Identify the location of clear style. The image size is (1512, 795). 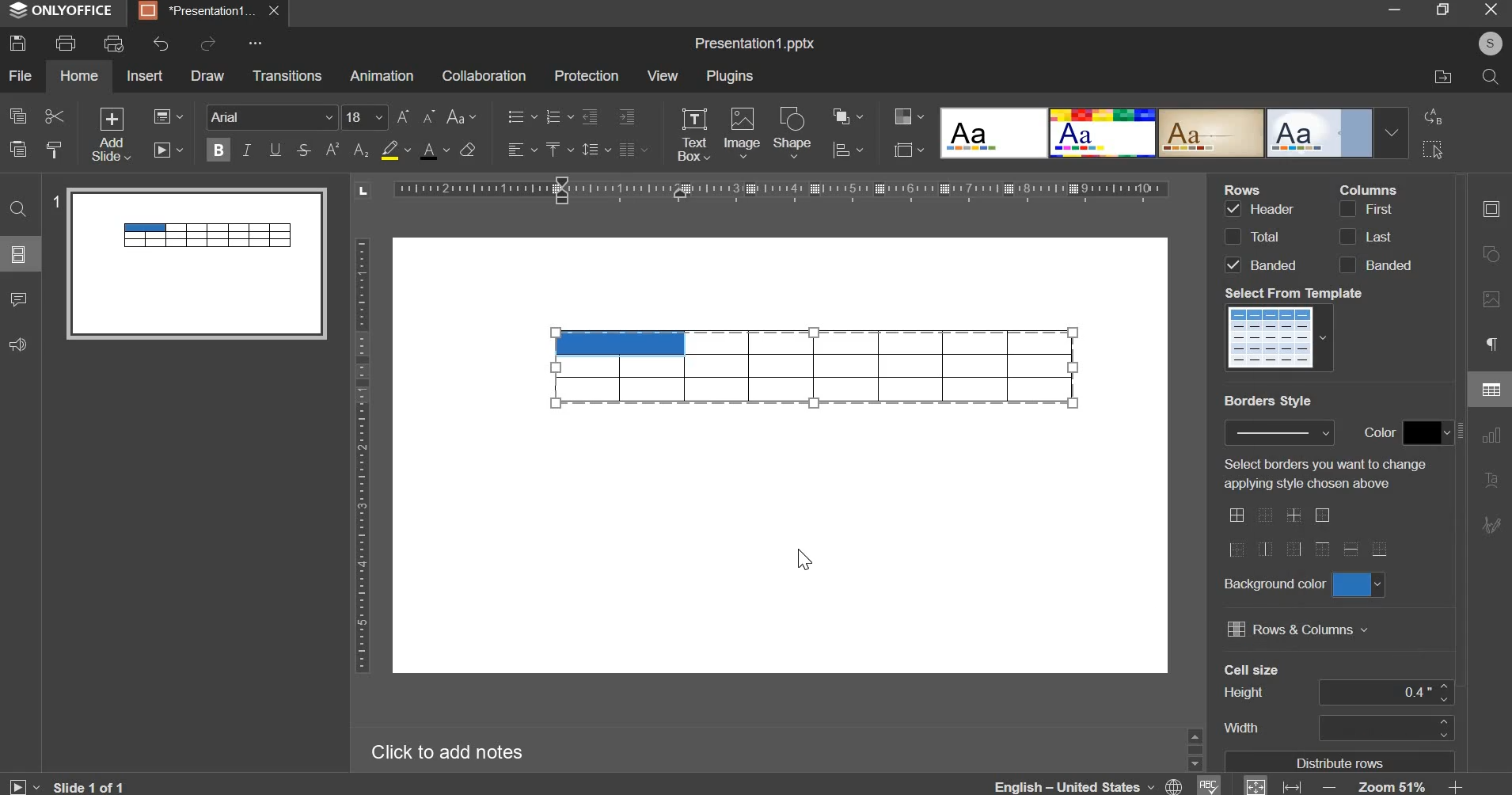
(467, 149).